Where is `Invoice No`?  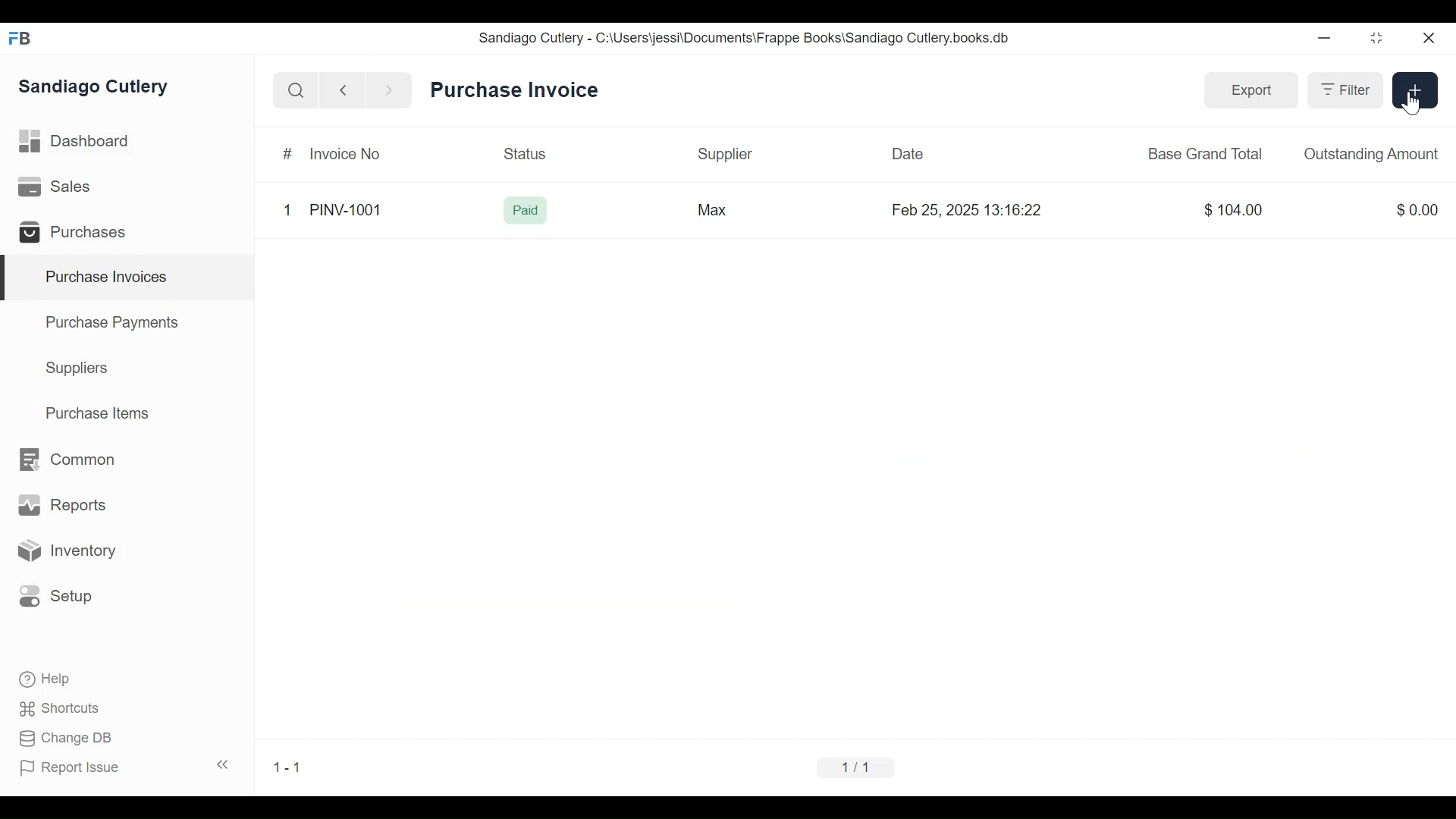
Invoice No is located at coordinates (344, 155).